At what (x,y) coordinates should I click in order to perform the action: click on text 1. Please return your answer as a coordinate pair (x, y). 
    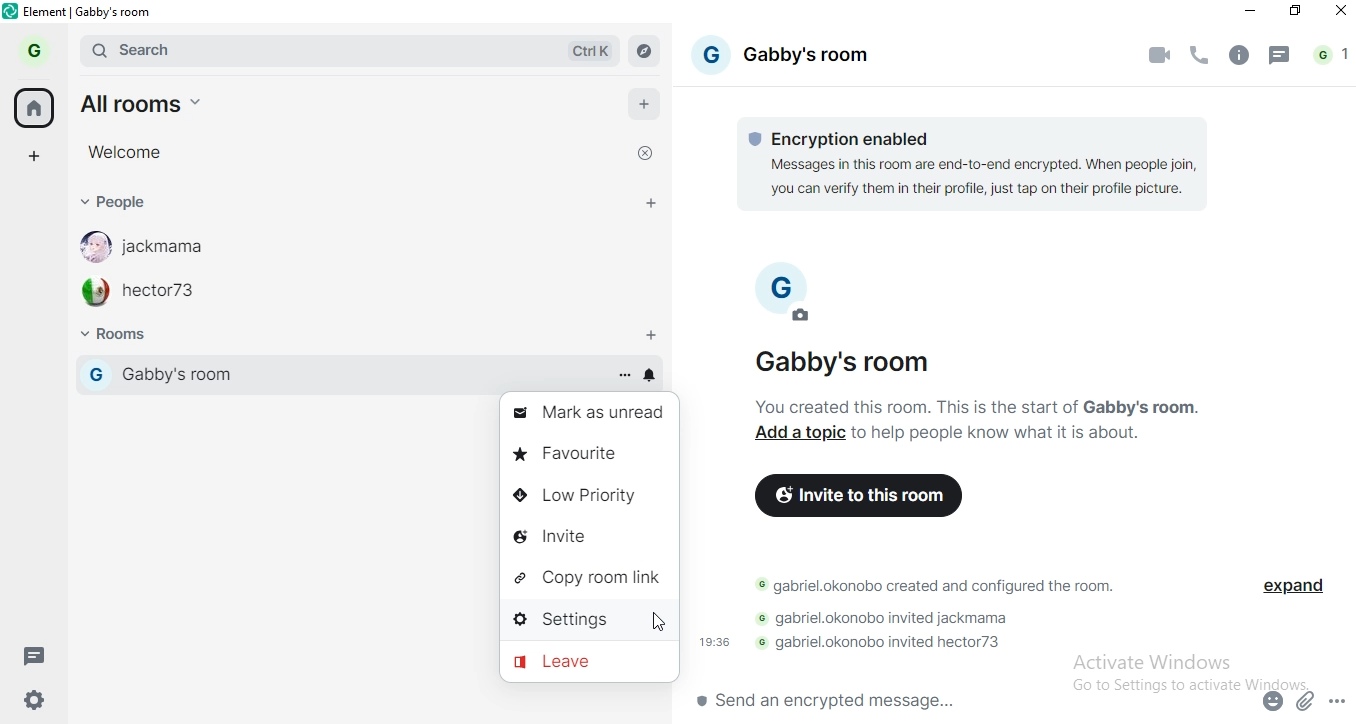
    Looking at the image, I should click on (978, 165).